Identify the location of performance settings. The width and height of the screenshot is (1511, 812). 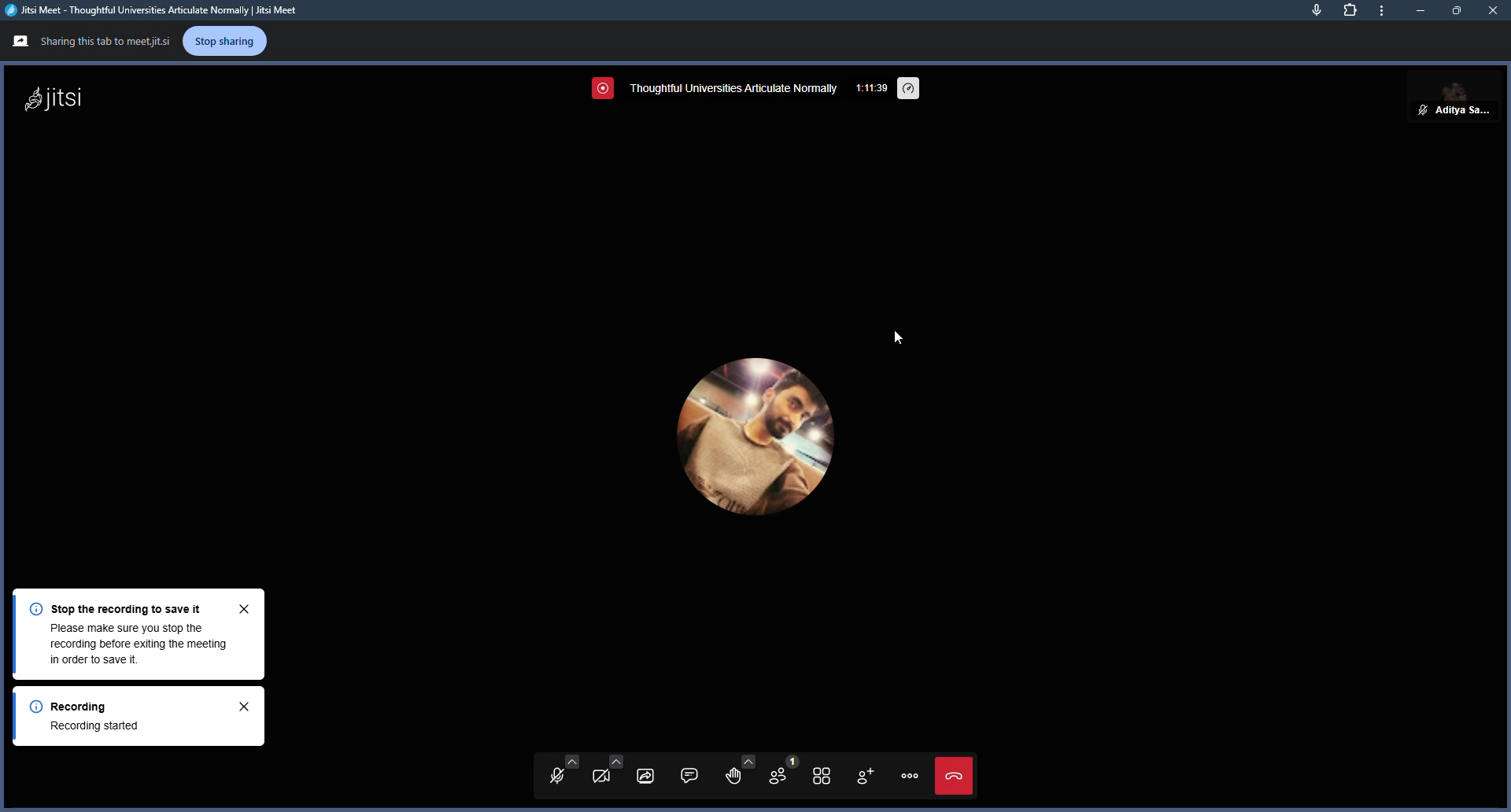
(908, 89).